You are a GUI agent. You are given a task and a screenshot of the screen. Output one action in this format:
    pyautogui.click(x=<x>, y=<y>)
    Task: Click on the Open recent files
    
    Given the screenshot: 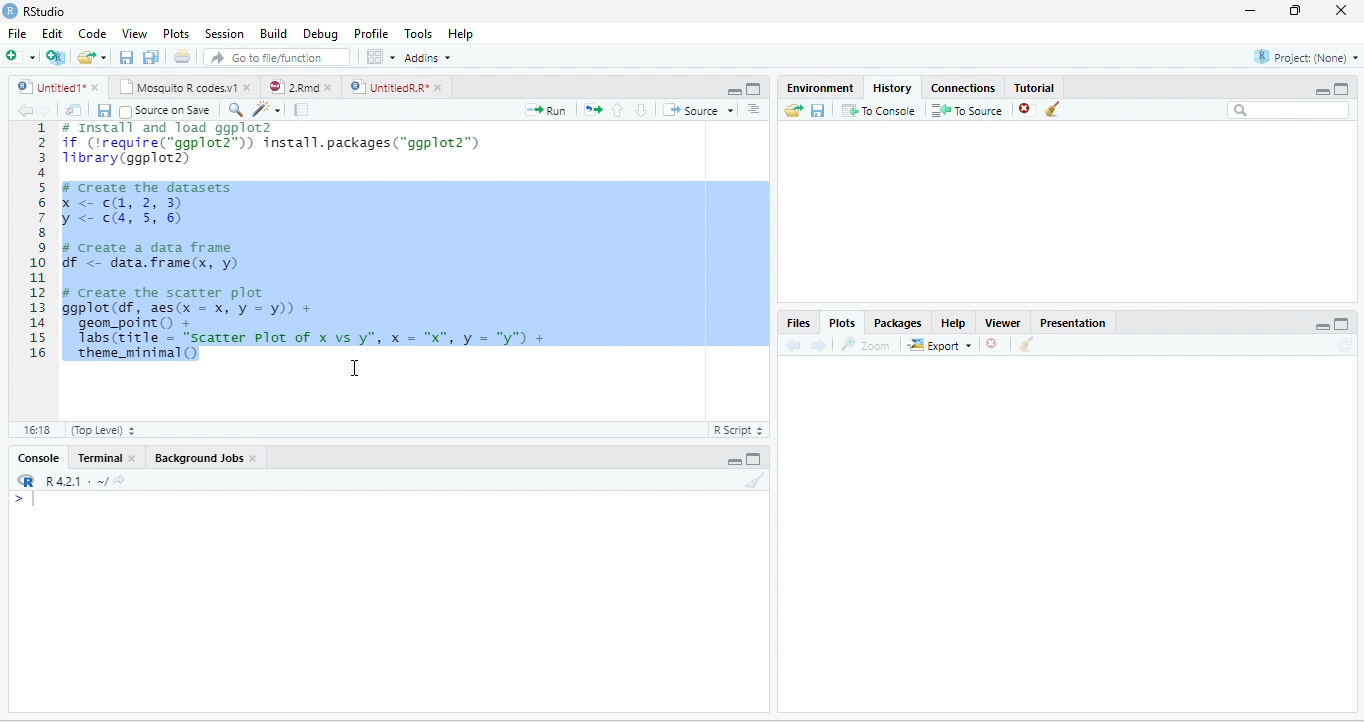 What is the action you would take?
    pyautogui.click(x=103, y=57)
    